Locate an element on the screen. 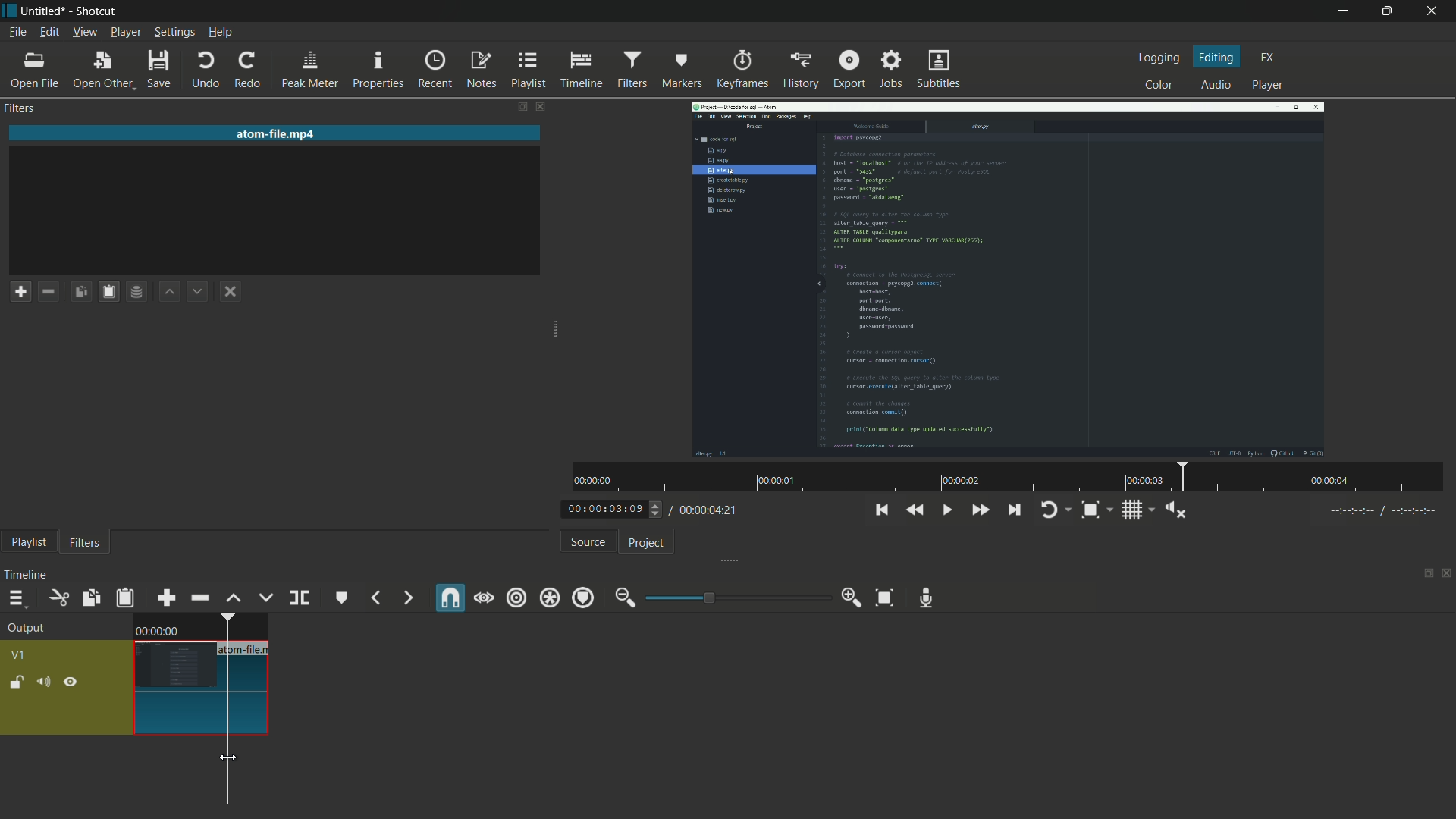  properties is located at coordinates (378, 69).